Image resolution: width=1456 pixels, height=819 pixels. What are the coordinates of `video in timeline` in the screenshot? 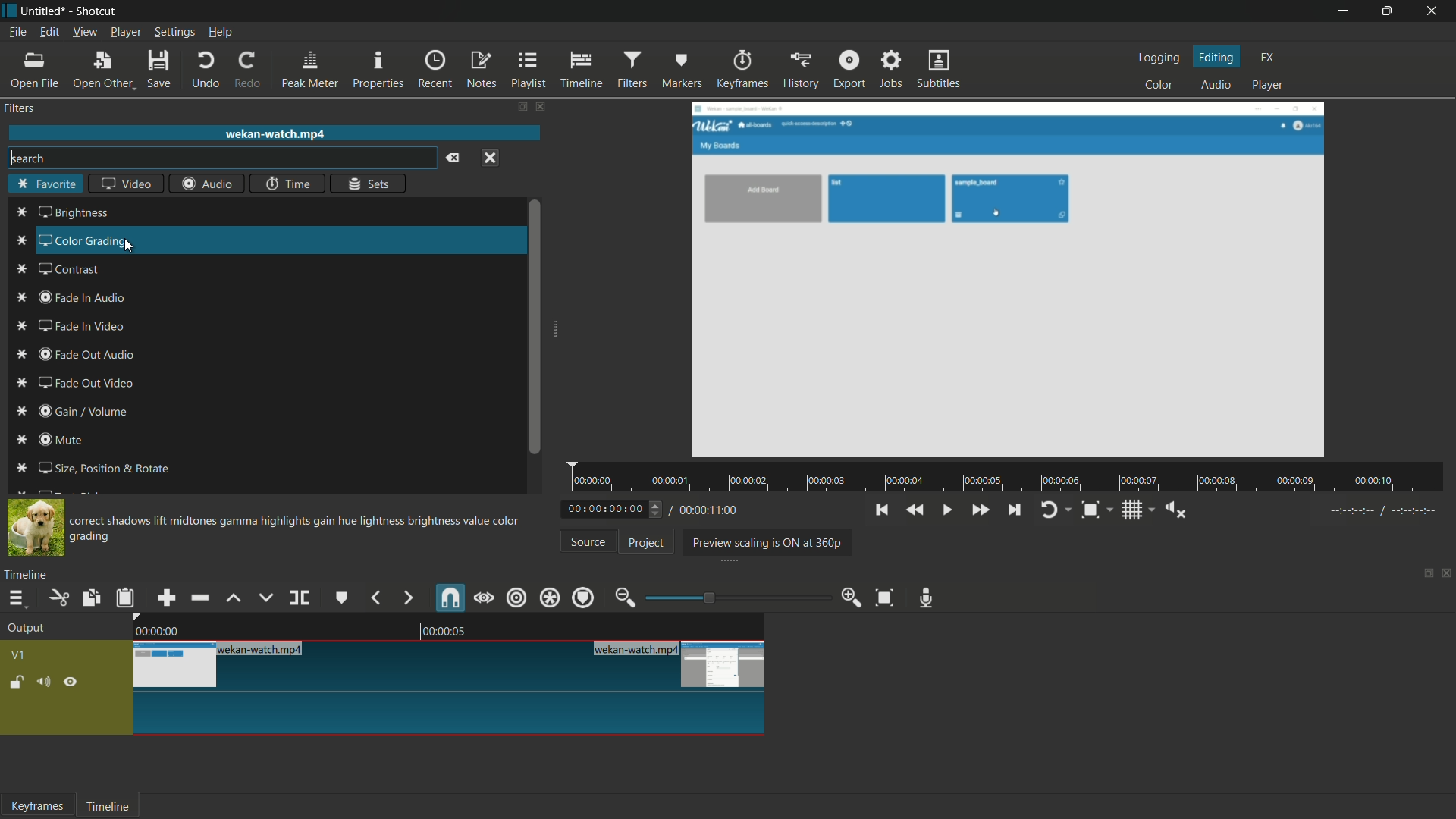 It's located at (450, 687).